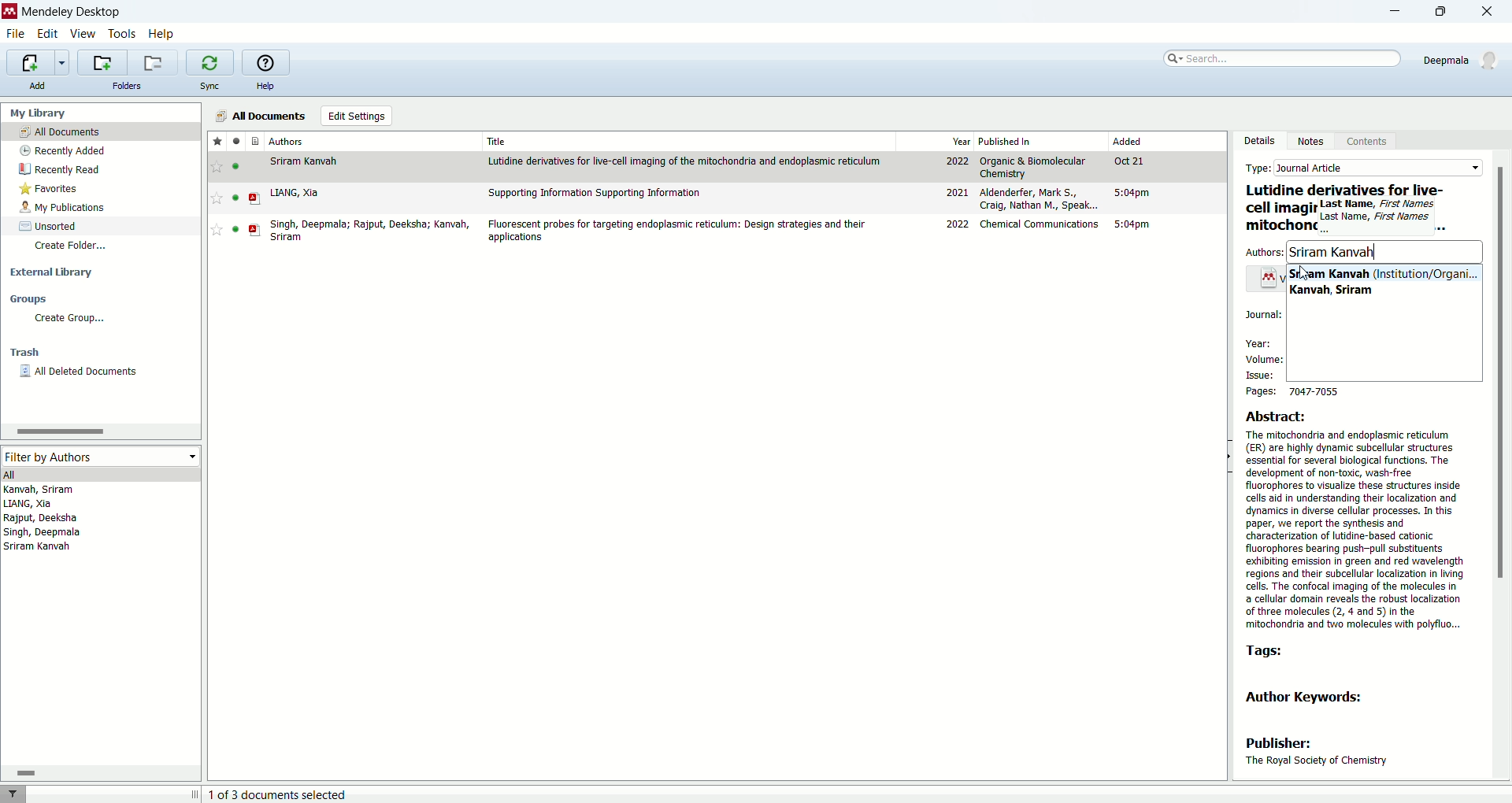 This screenshot has height=803, width=1512. Describe the element at coordinates (1315, 700) in the screenshot. I see `author keywords` at that location.